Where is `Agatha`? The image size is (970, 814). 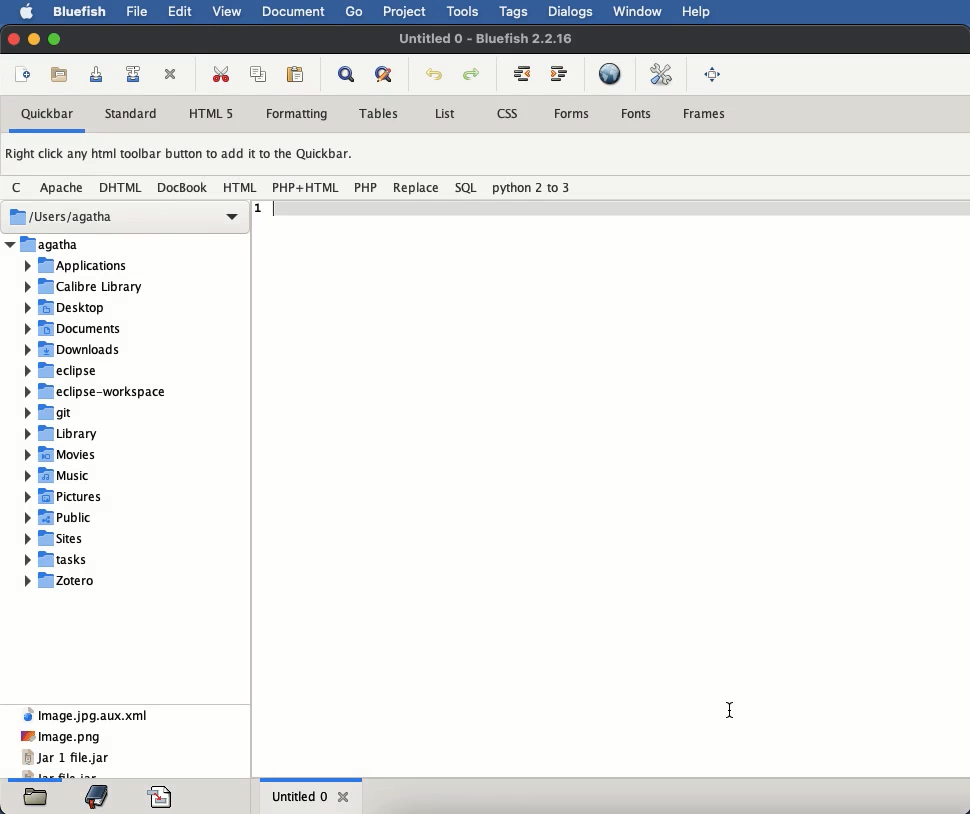 Agatha is located at coordinates (127, 244).